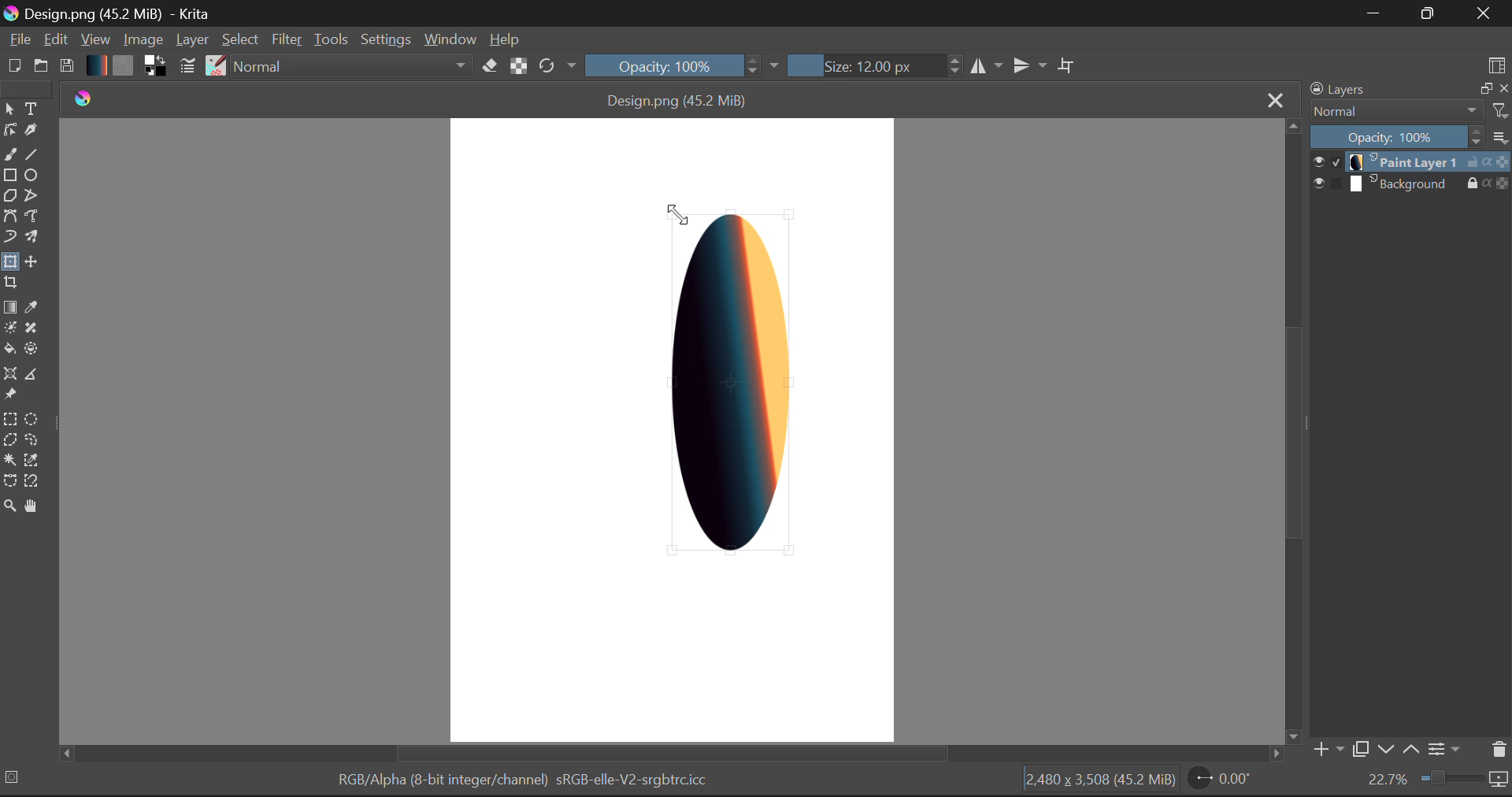 Image resolution: width=1512 pixels, height=797 pixels. What do you see at coordinates (32, 483) in the screenshot?
I see `Magnetic Selection` at bounding box center [32, 483].